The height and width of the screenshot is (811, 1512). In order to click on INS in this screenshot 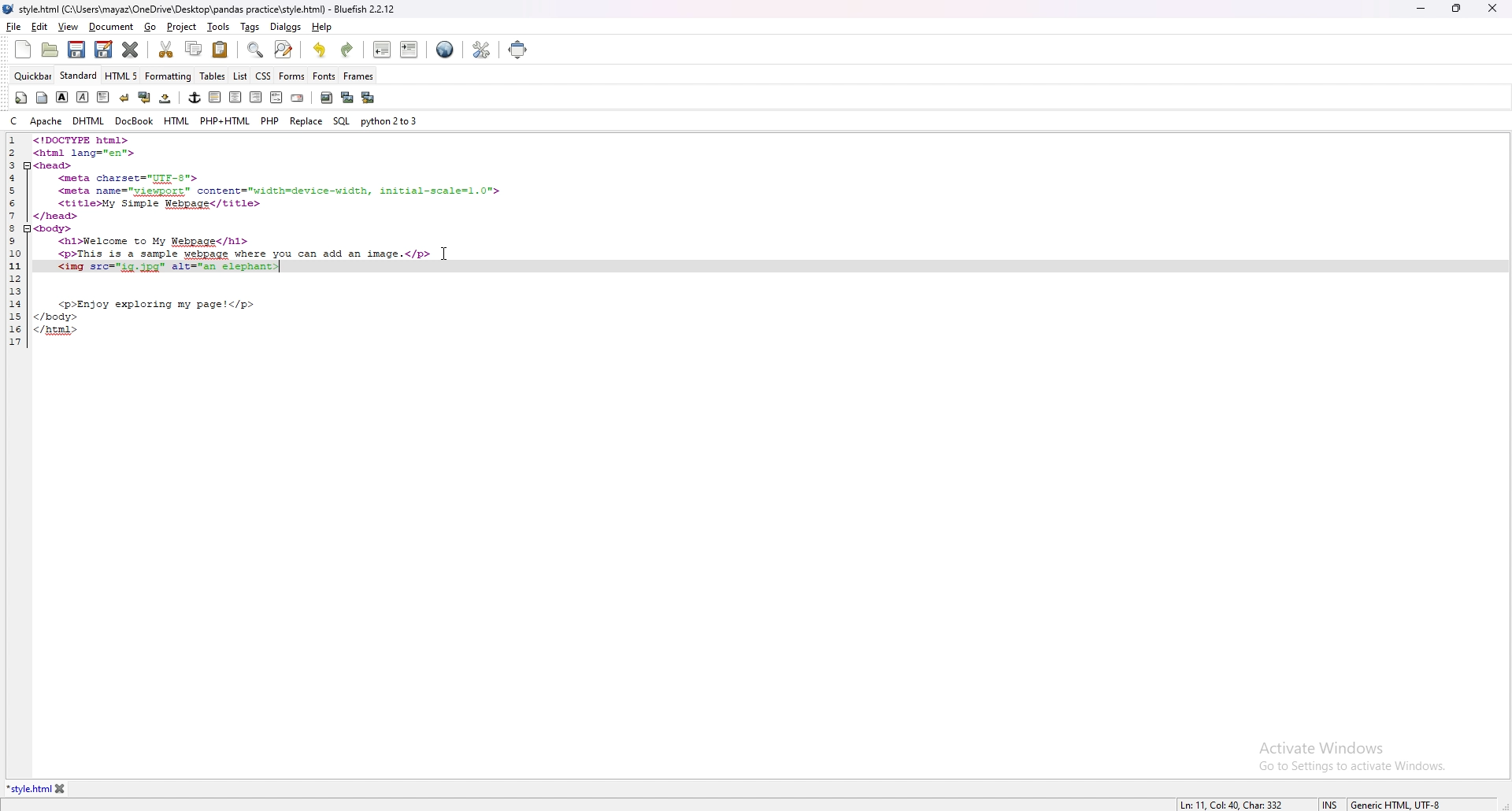, I will do `click(1334, 804)`.